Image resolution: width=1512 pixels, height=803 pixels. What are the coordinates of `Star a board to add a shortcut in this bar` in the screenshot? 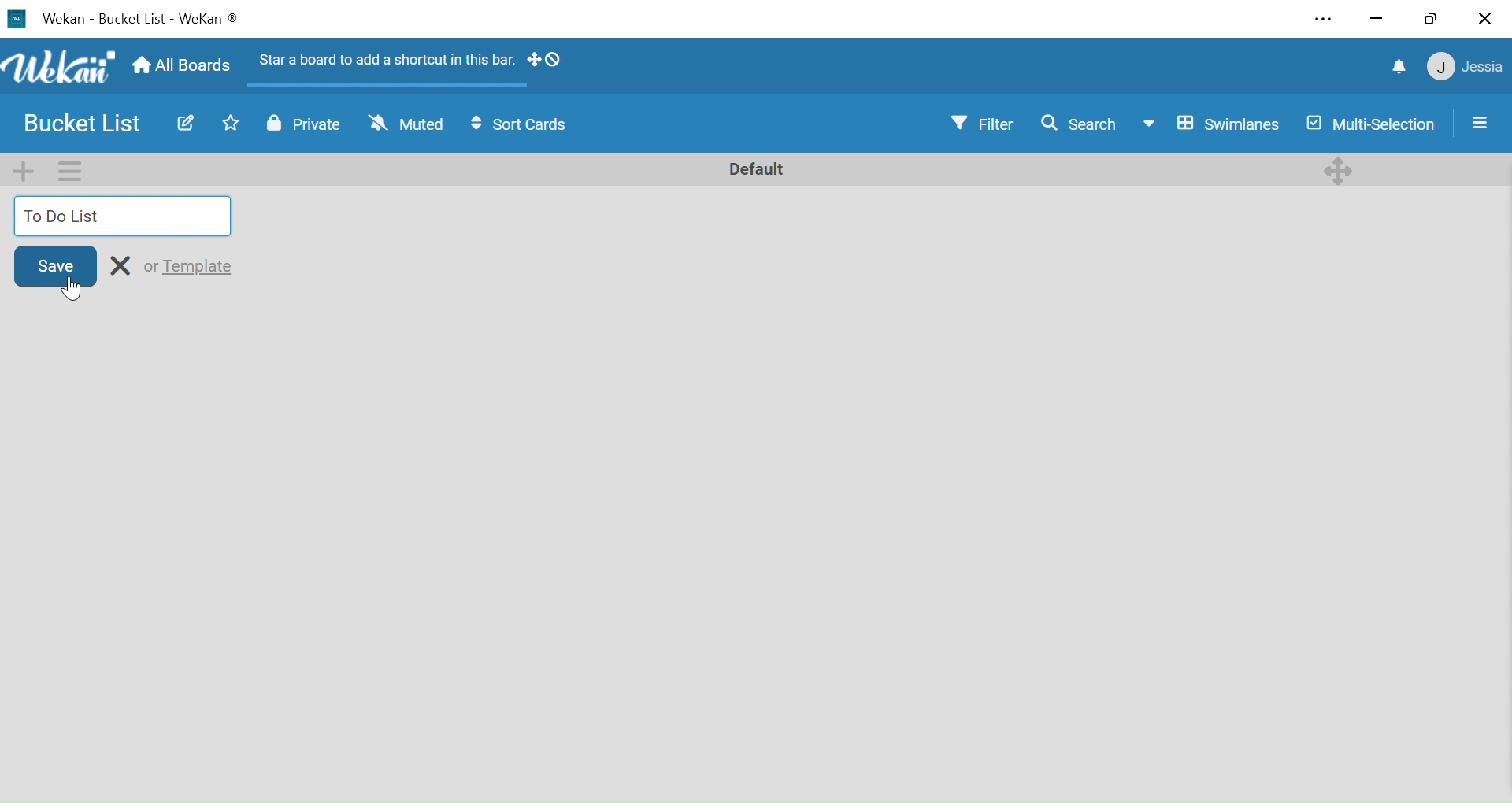 It's located at (382, 63).